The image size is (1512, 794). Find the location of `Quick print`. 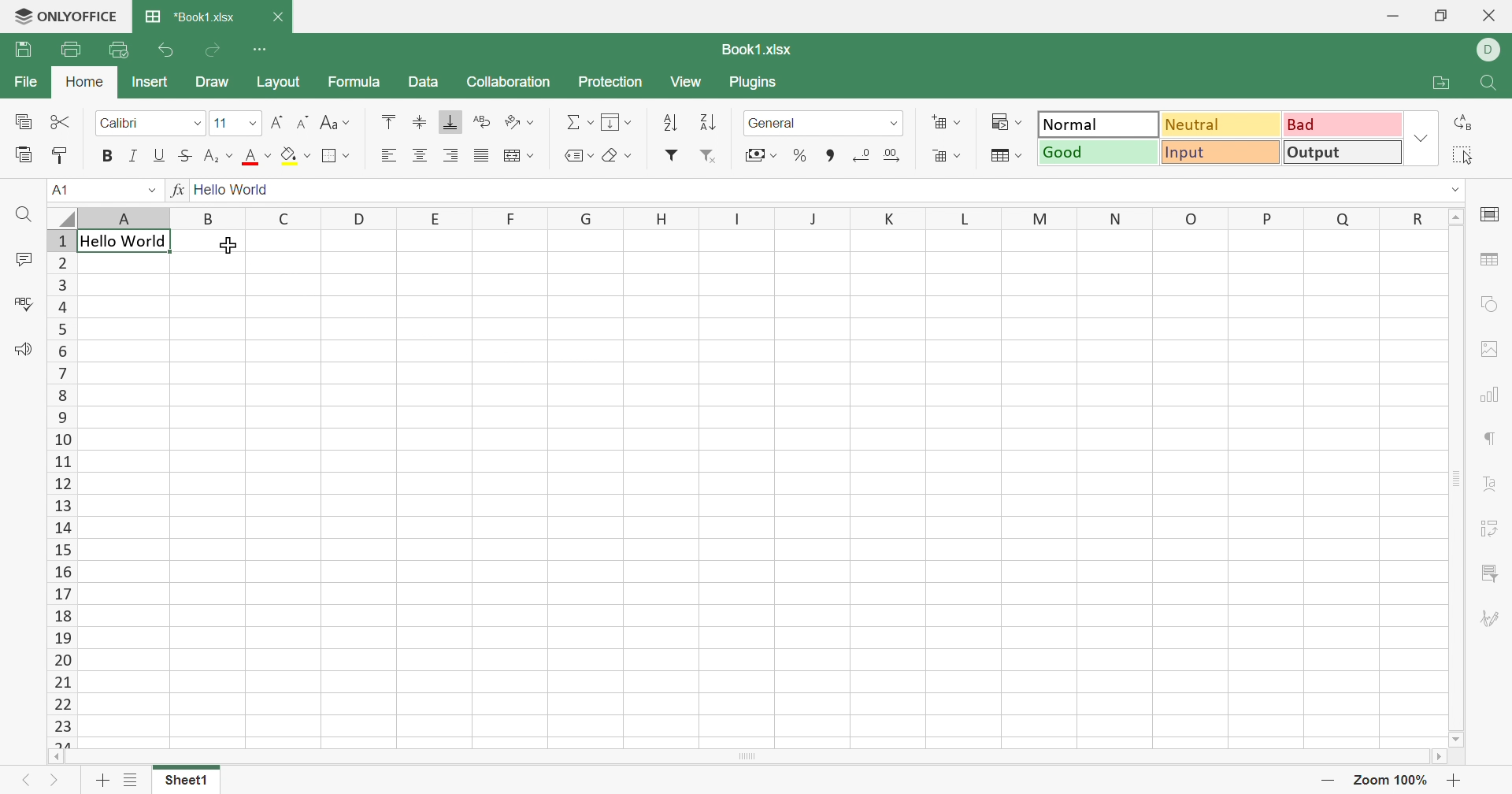

Quick print is located at coordinates (121, 50).